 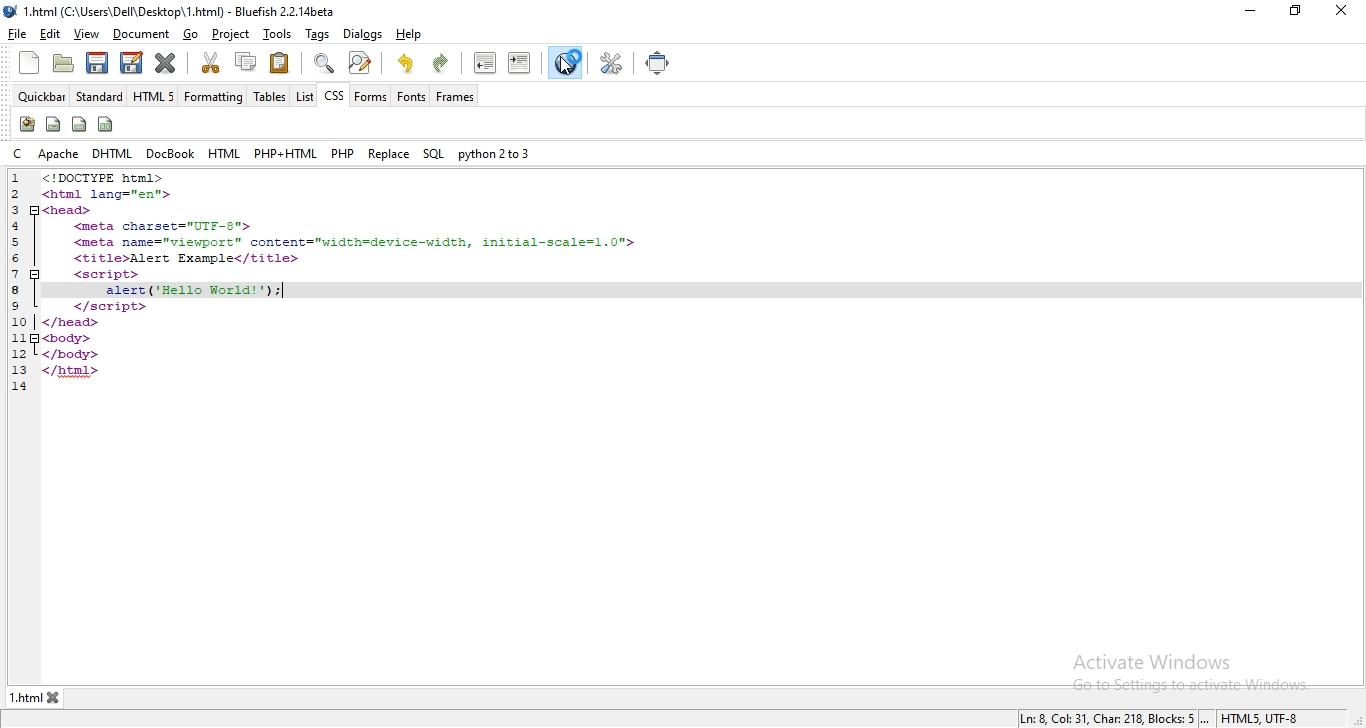 What do you see at coordinates (18, 338) in the screenshot?
I see `11` at bounding box center [18, 338].